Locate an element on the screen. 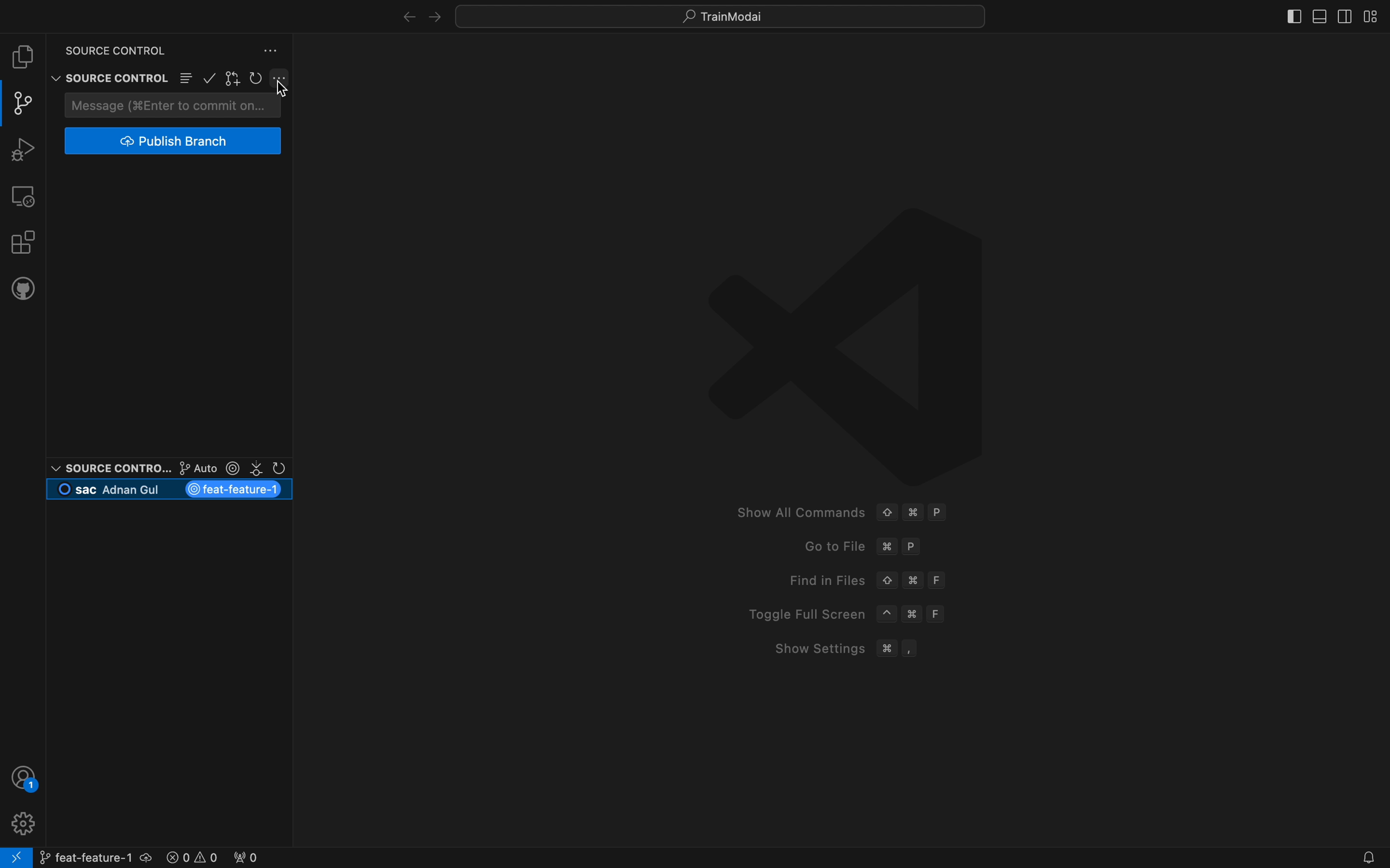 Image resolution: width=1390 pixels, height=868 pixels. current branch  is located at coordinates (171, 490).